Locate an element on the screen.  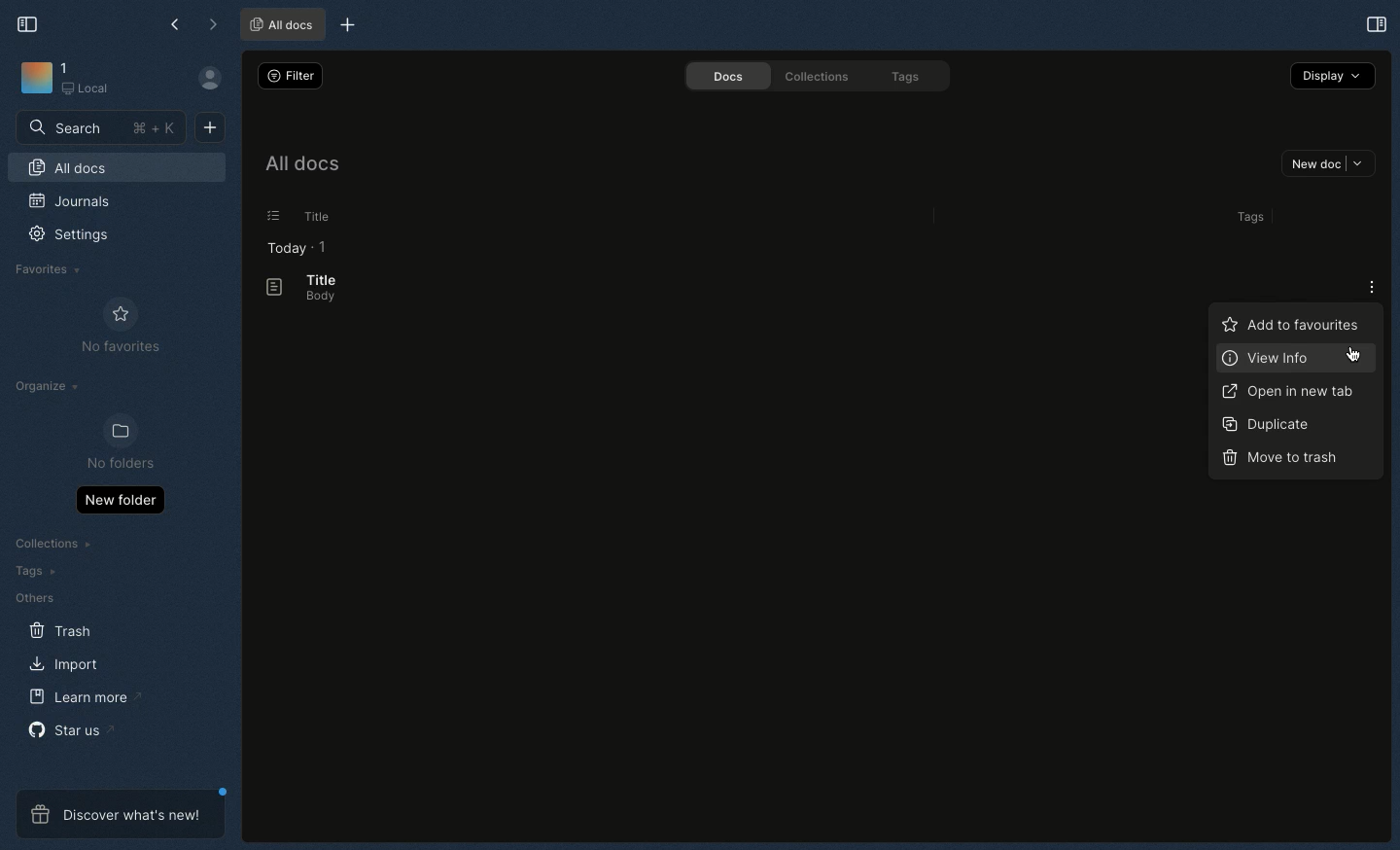
Collapse sidebar is located at coordinates (28, 22).